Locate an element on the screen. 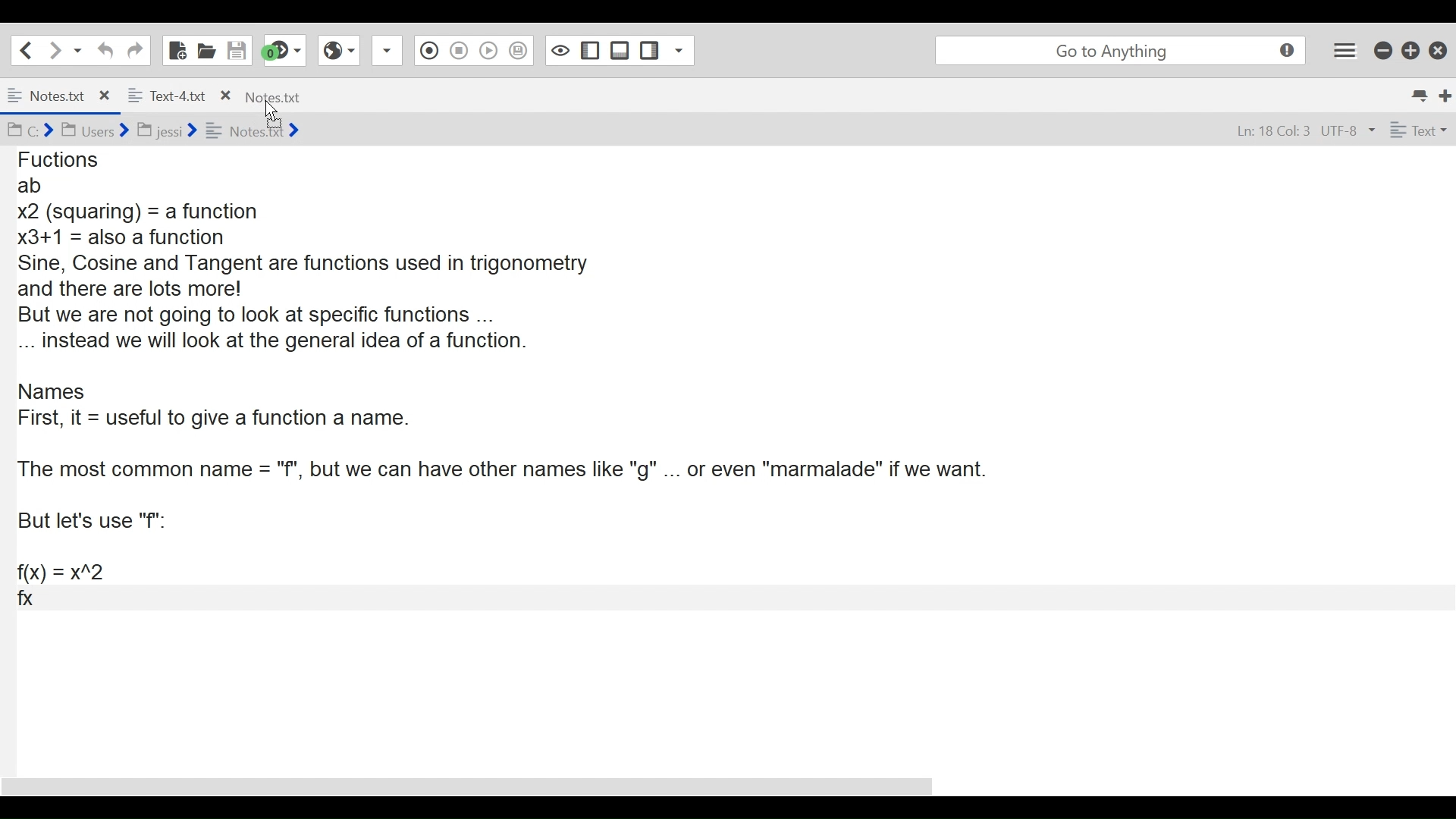  Redo last action is located at coordinates (134, 50).